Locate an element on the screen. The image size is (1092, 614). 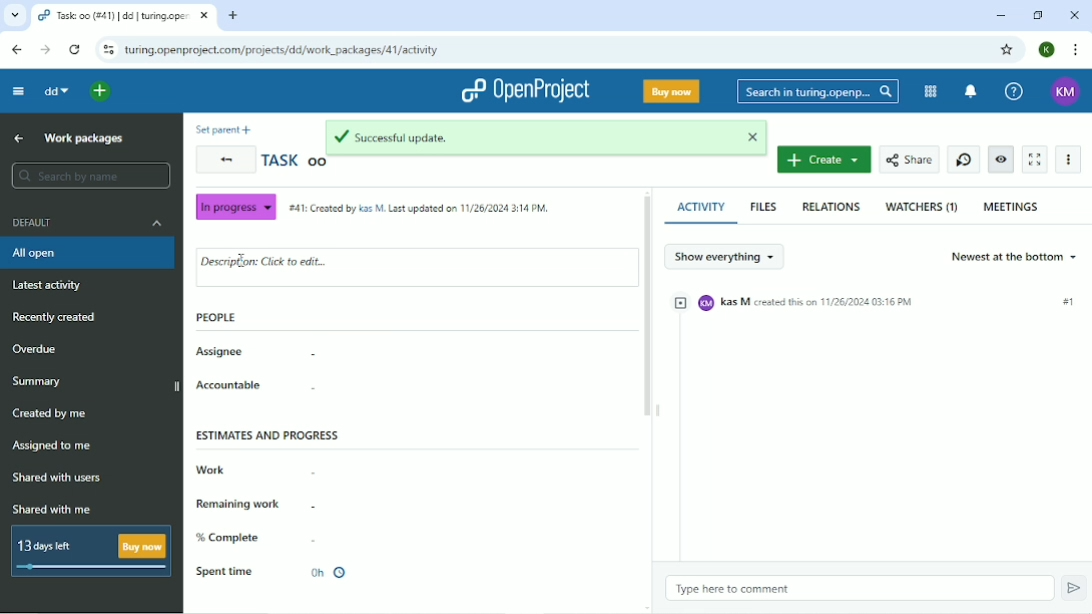
Restore down is located at coordinates (1039, 17).